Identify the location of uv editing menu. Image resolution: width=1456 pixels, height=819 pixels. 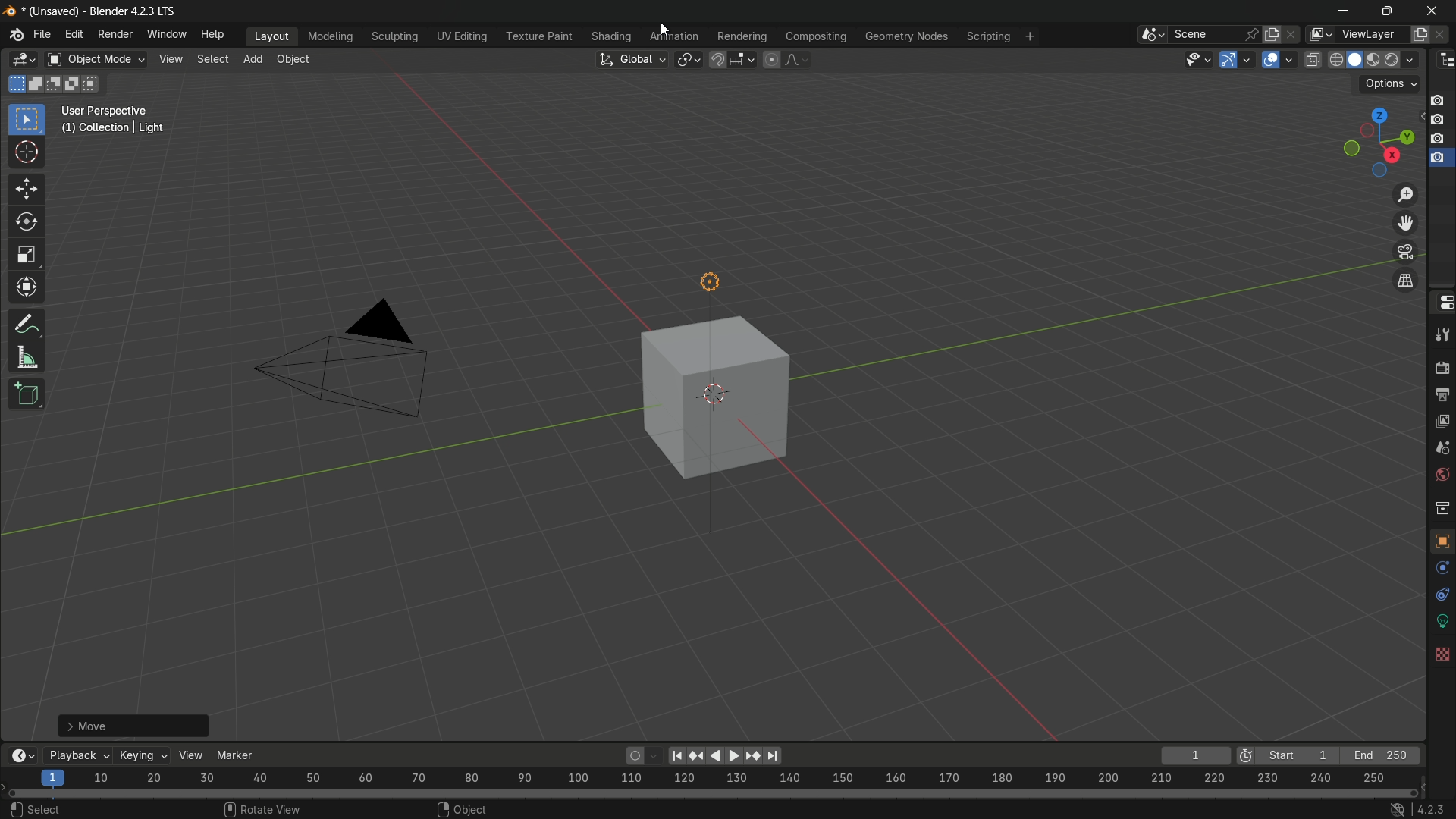
(463, 37).